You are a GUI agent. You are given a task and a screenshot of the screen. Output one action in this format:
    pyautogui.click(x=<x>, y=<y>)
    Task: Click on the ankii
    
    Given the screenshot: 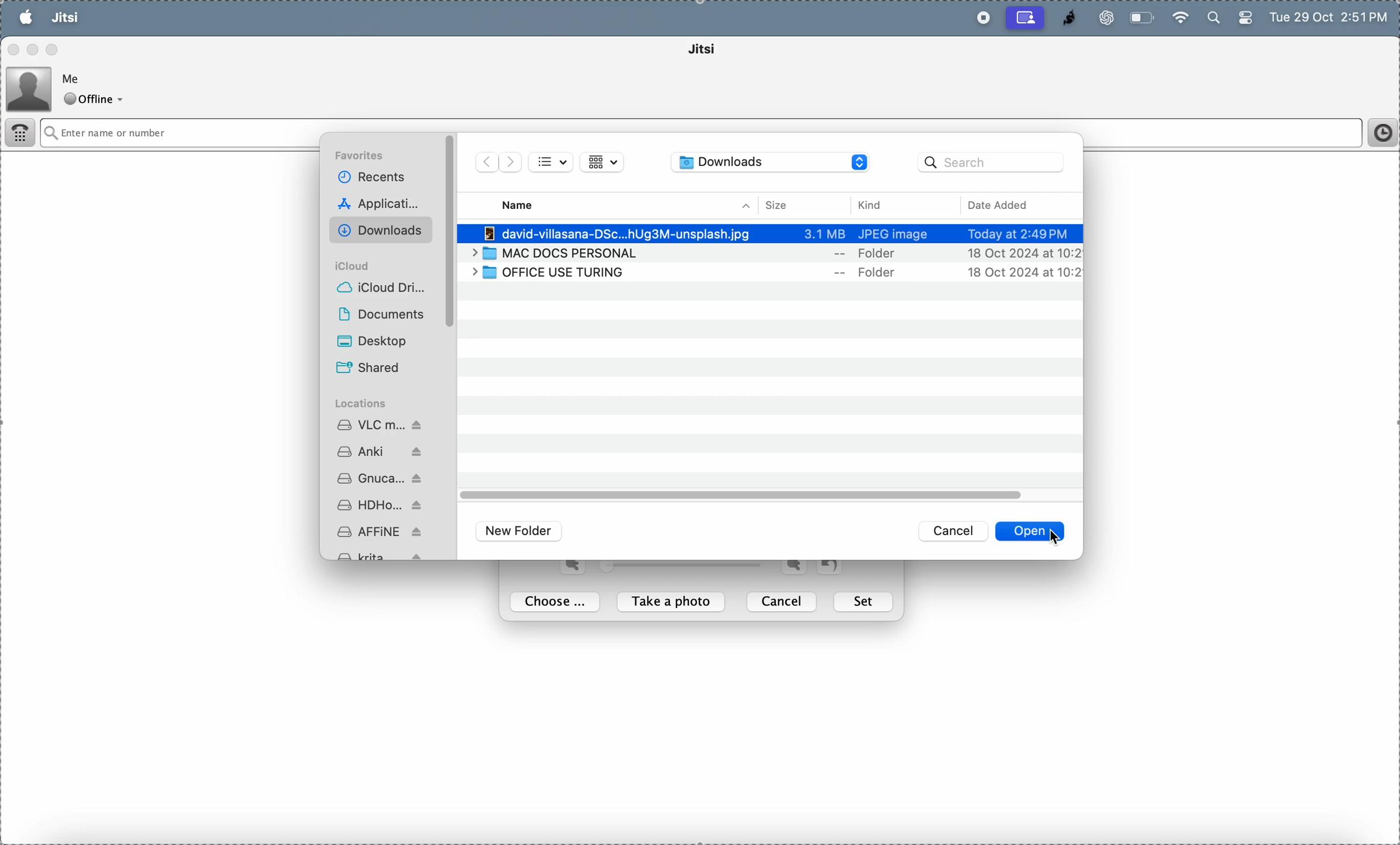 What is the action you would take?
    pyautogui.click(x=383, y=450)
    